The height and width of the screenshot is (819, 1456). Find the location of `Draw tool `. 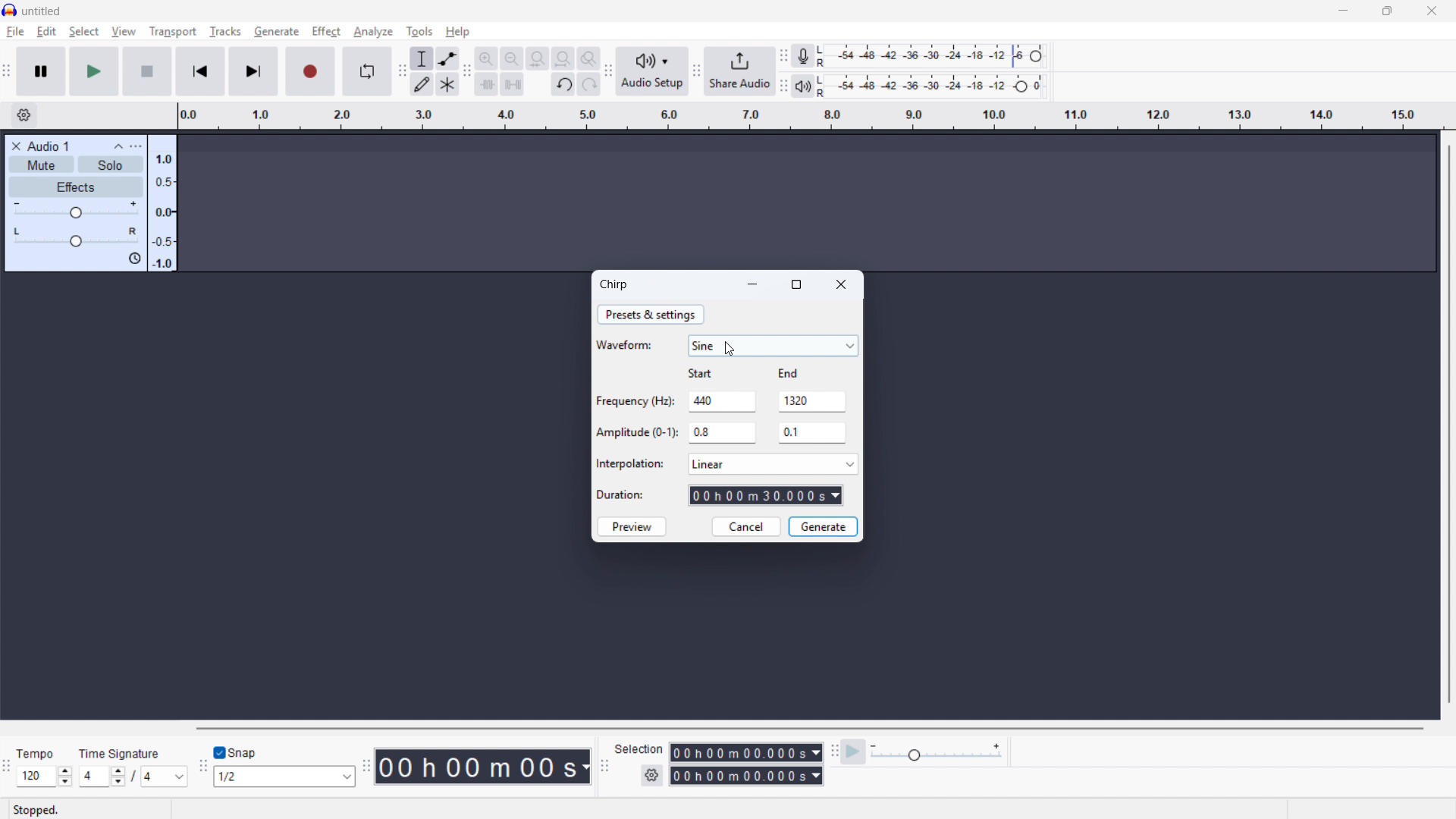

Draw tool  is located at coordinates (423, 85).